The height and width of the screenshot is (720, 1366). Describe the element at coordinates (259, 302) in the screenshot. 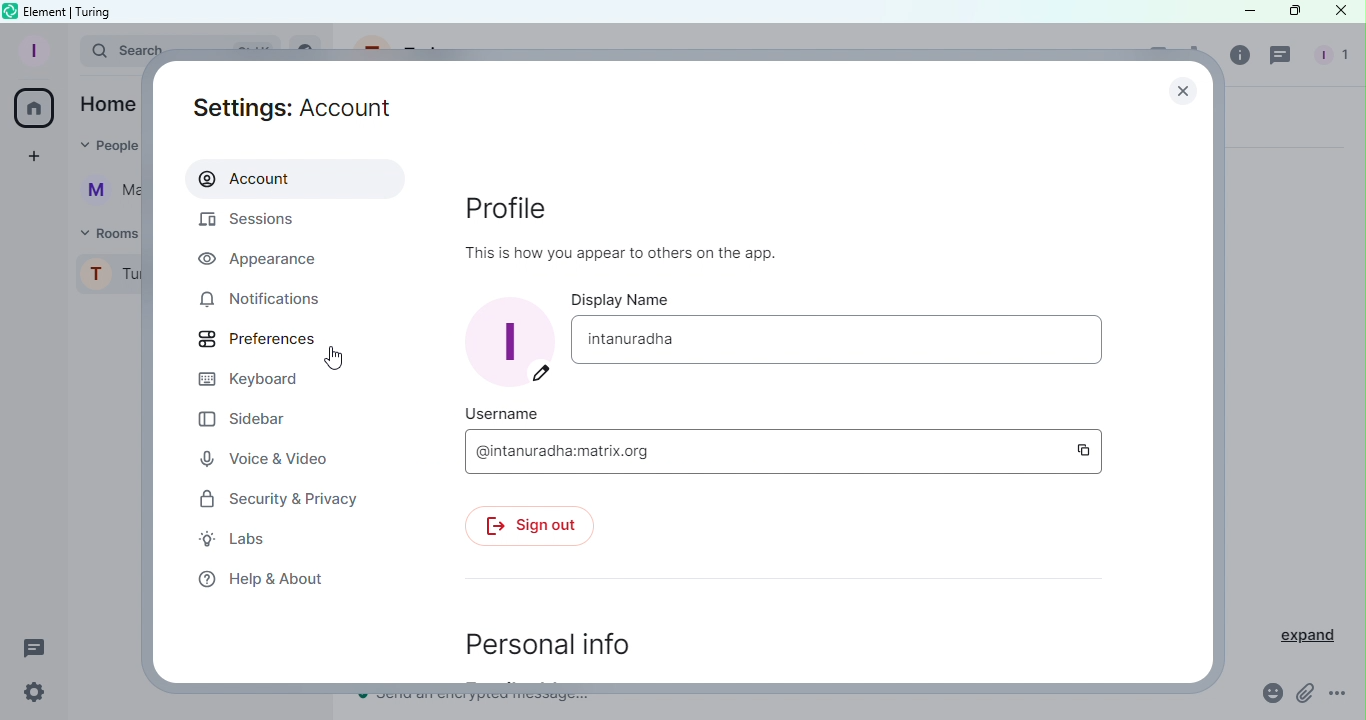

I see `Notifications` at that location.